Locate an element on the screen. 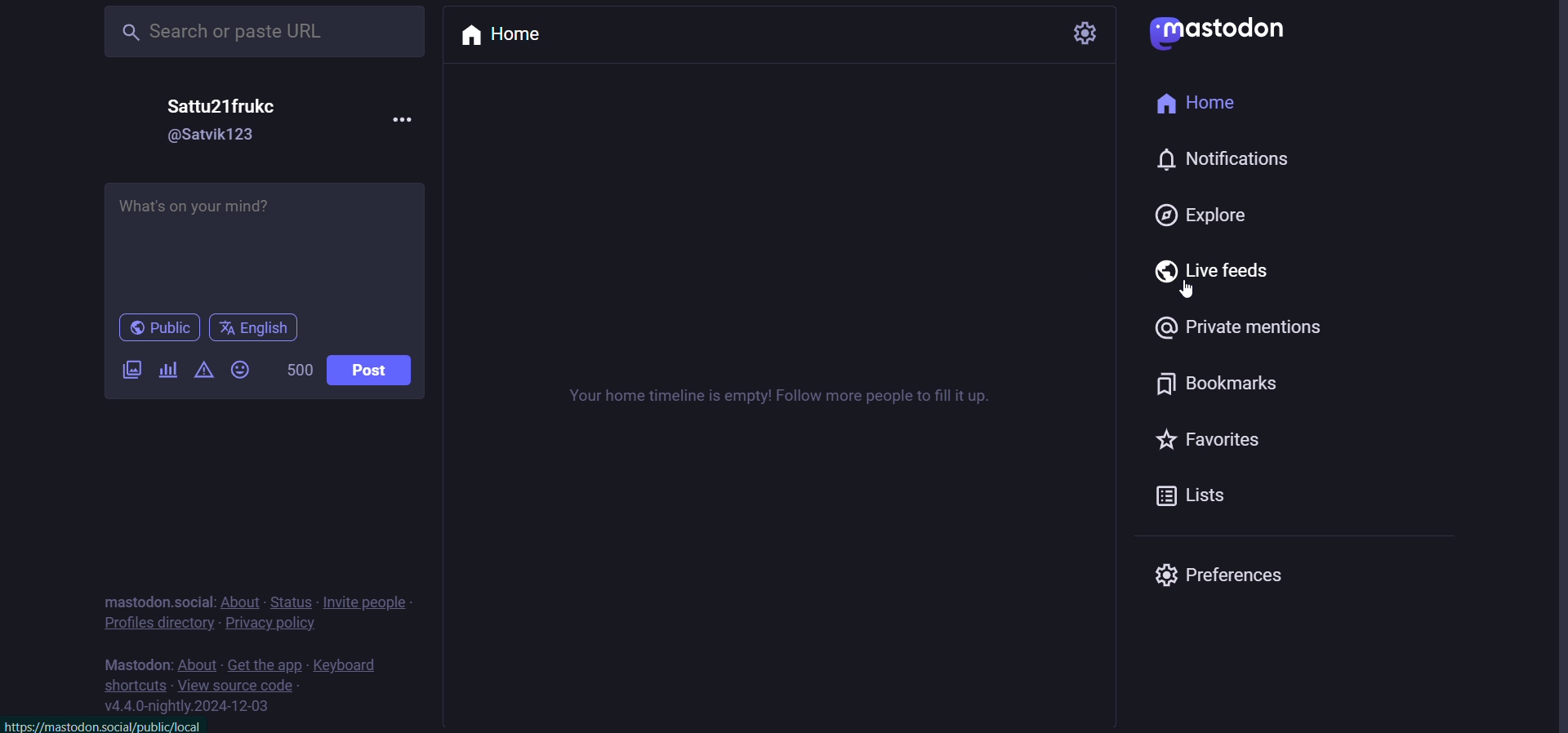 This screenshot has width=1568, height=733. more is located at coordinates (405, 119).